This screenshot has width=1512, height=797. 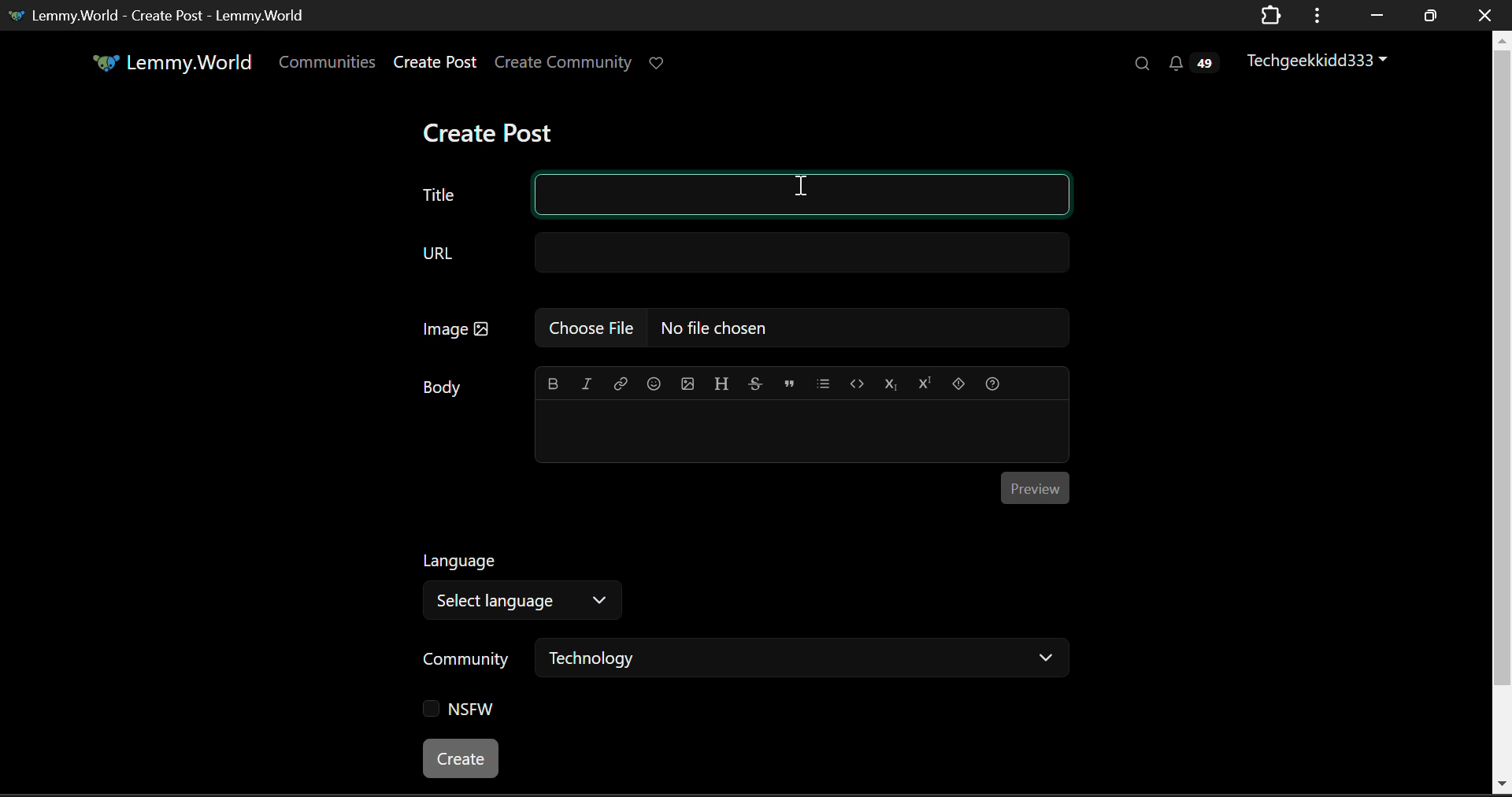 What do you see at coordinates (890, 385) in the screenshot?
I see `Subscript` at bounding box center [890, 385].